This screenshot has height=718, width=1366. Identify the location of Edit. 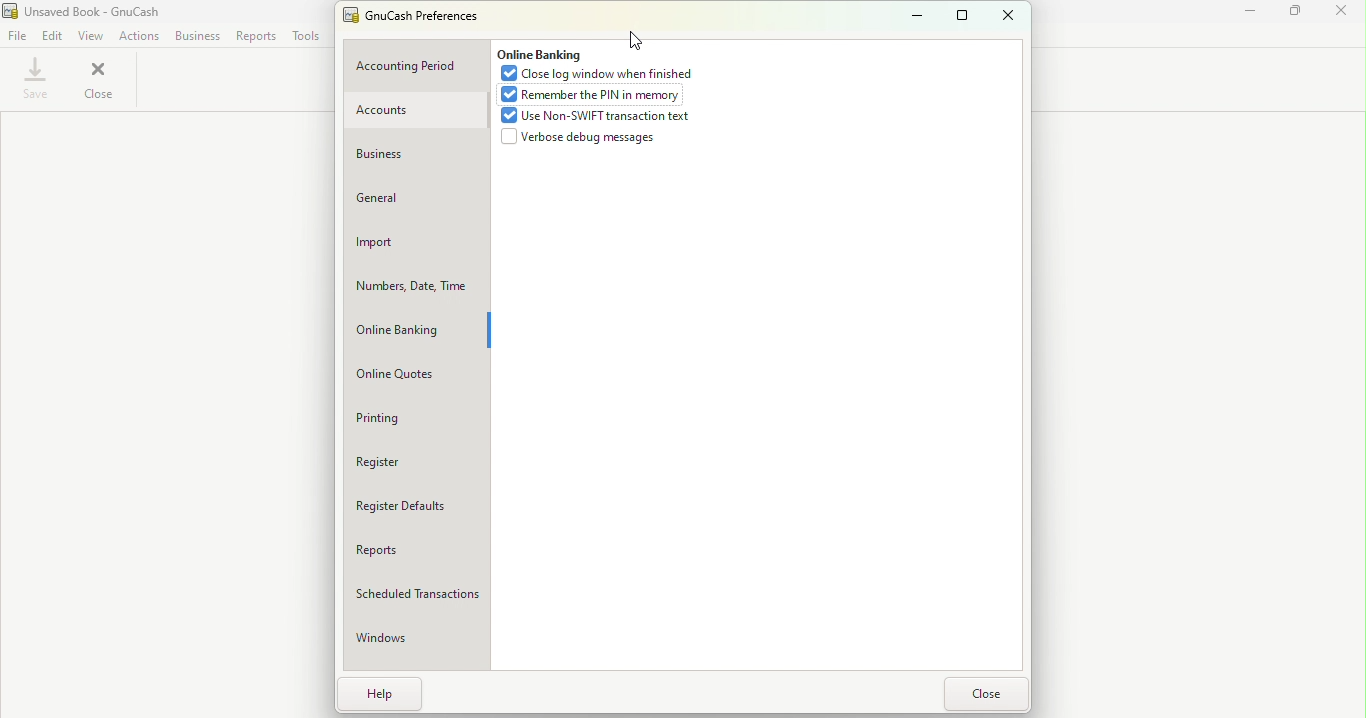
(52, 36).